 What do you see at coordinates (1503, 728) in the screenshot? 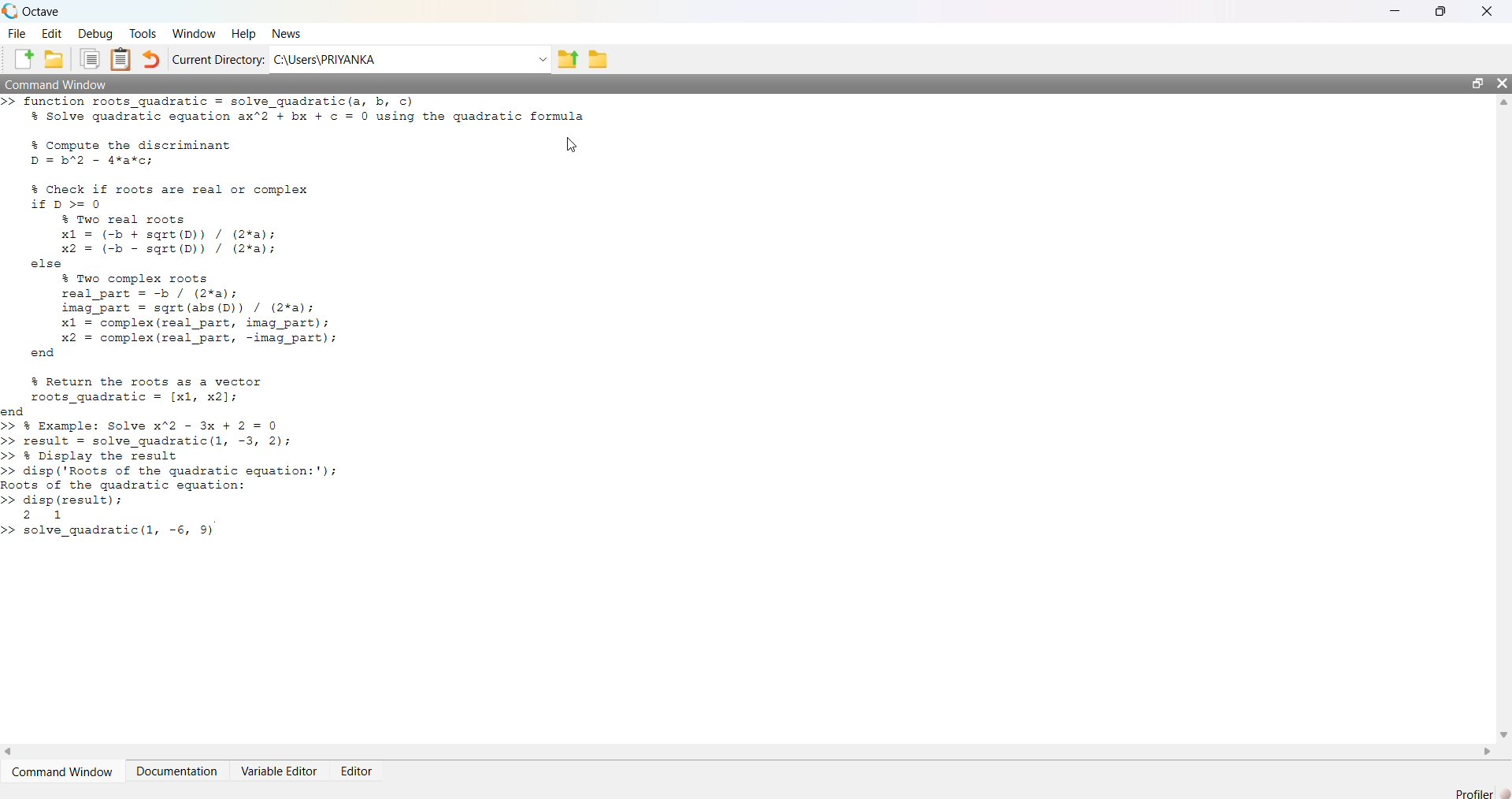
I see `Down` at bounding box center [1503, 728].